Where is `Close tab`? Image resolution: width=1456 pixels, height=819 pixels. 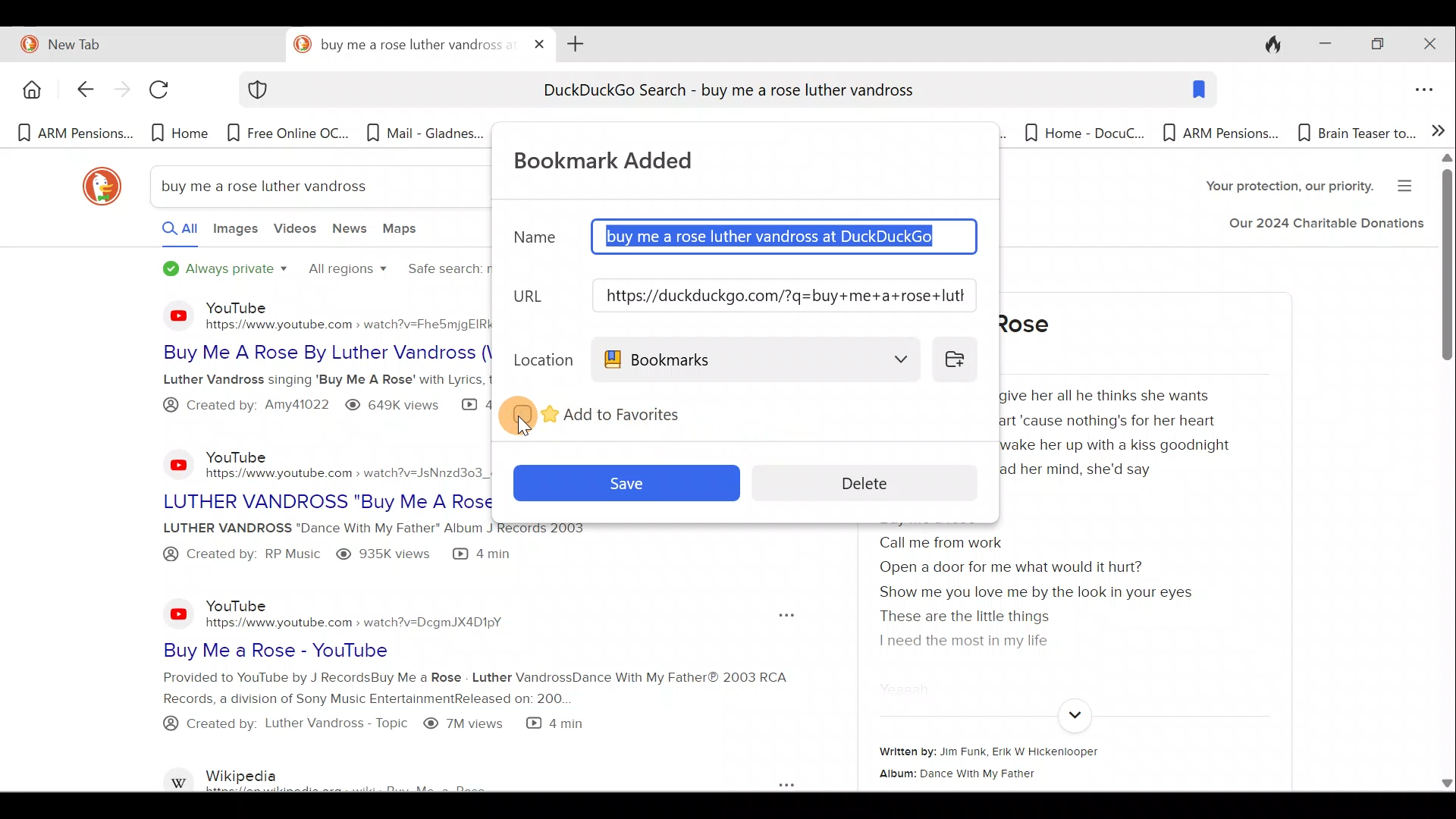
Close tab is located at coordinates (540, 41).